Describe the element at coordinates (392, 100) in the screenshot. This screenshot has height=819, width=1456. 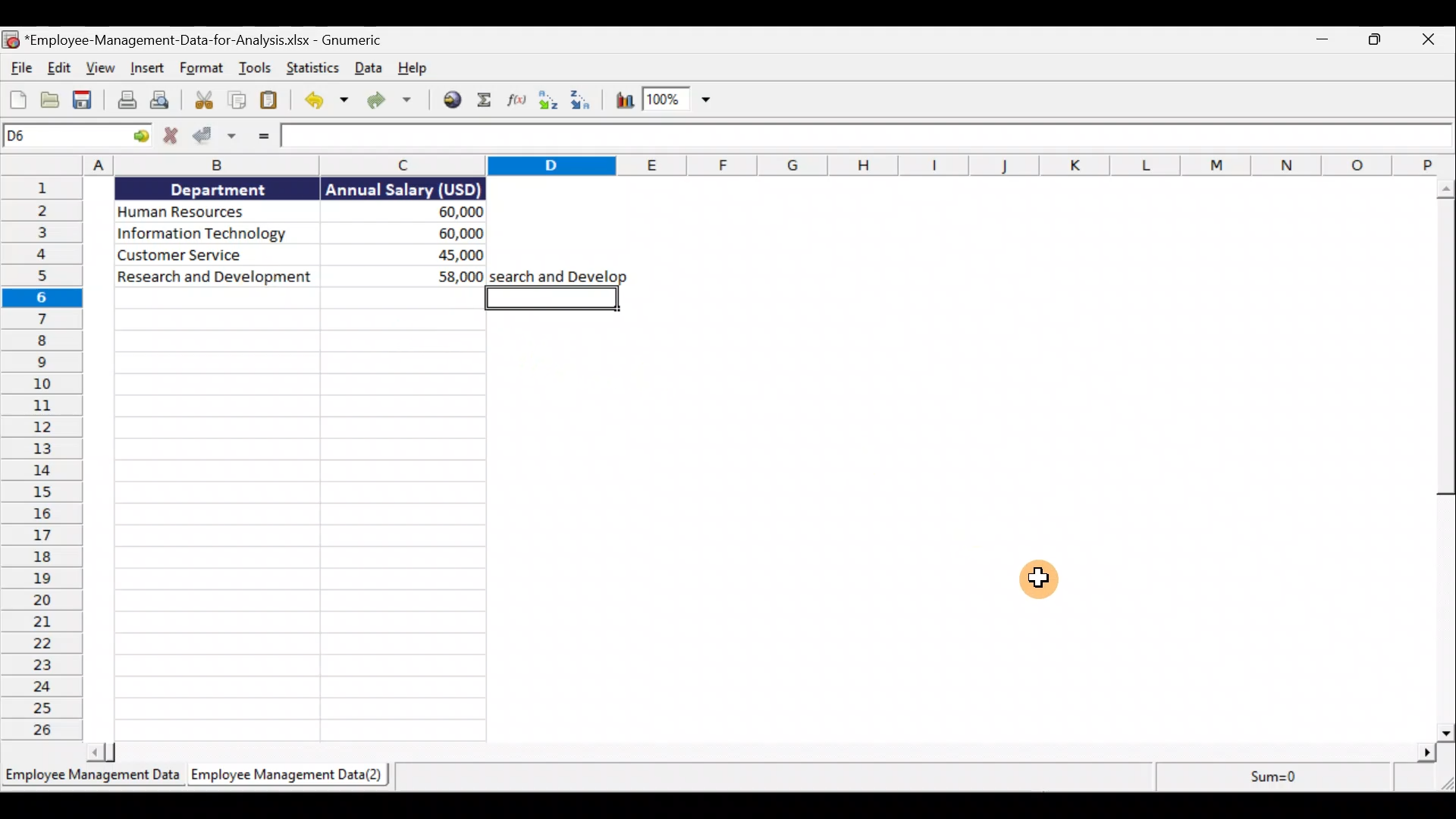
I see `Redo the undone action` at that location.